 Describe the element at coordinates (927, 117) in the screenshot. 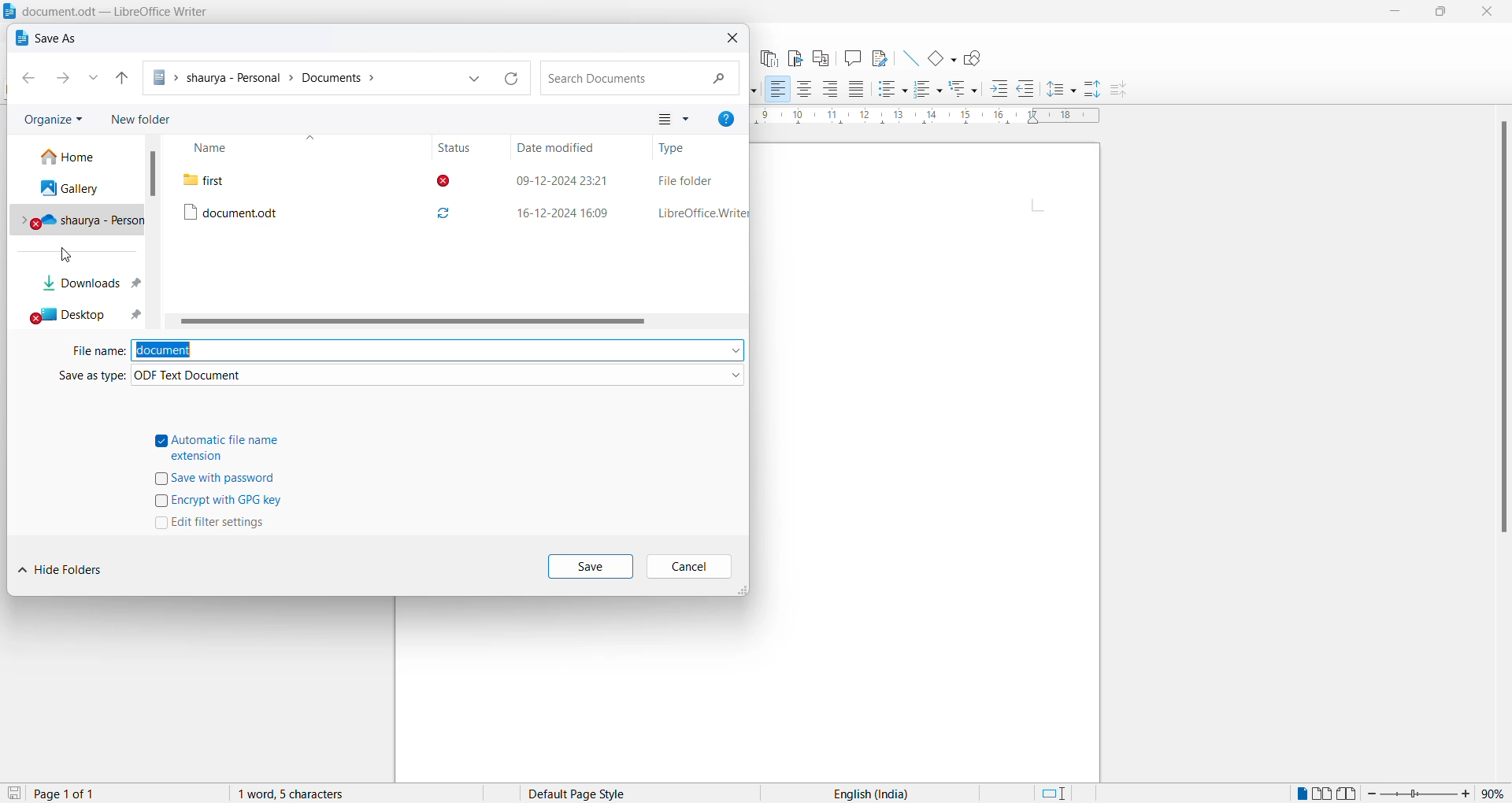

I see `ruler` at that location.